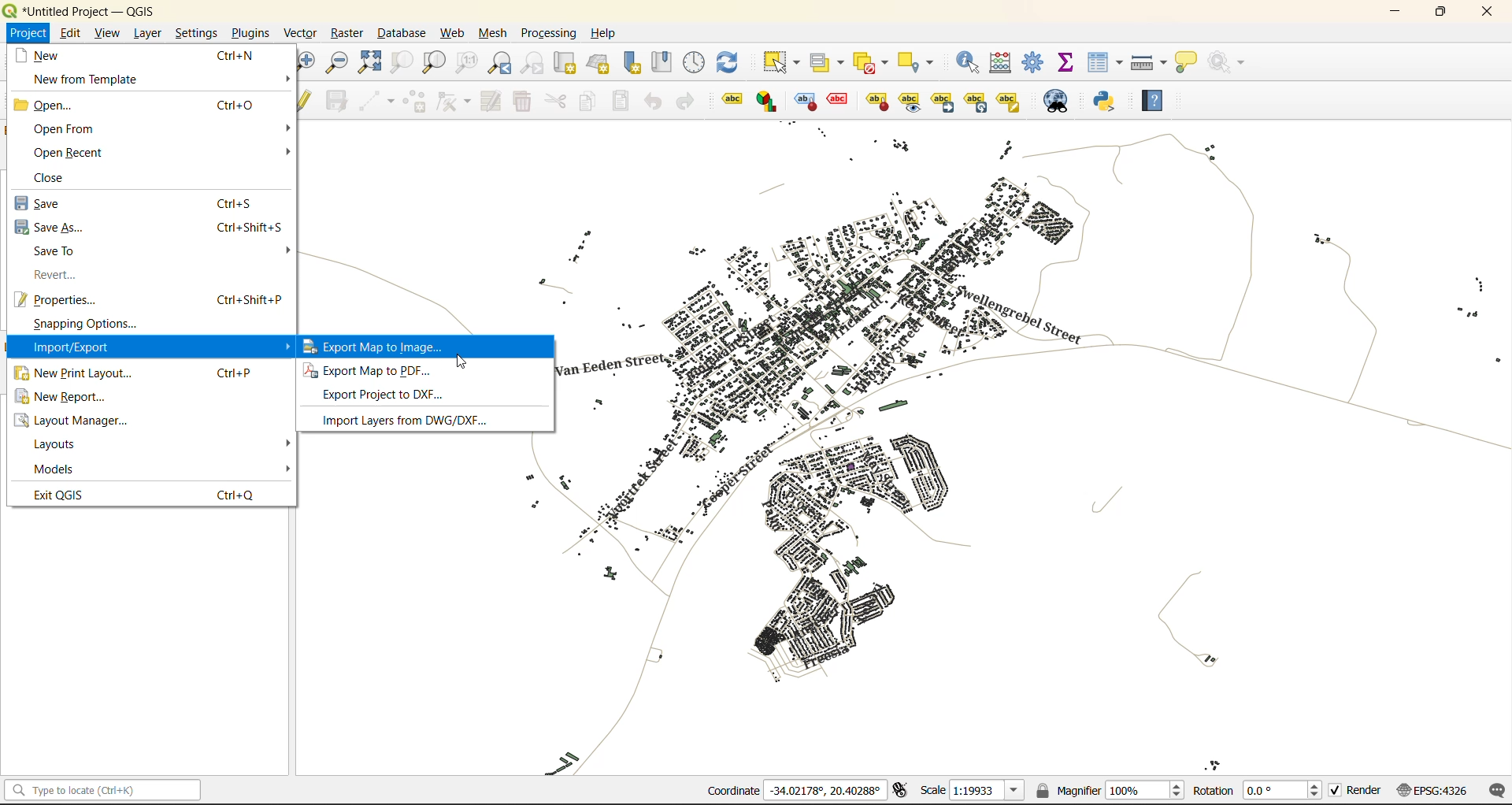 This screenshot has height=805, width=1512. I want to click on layer, so click(148, 32).